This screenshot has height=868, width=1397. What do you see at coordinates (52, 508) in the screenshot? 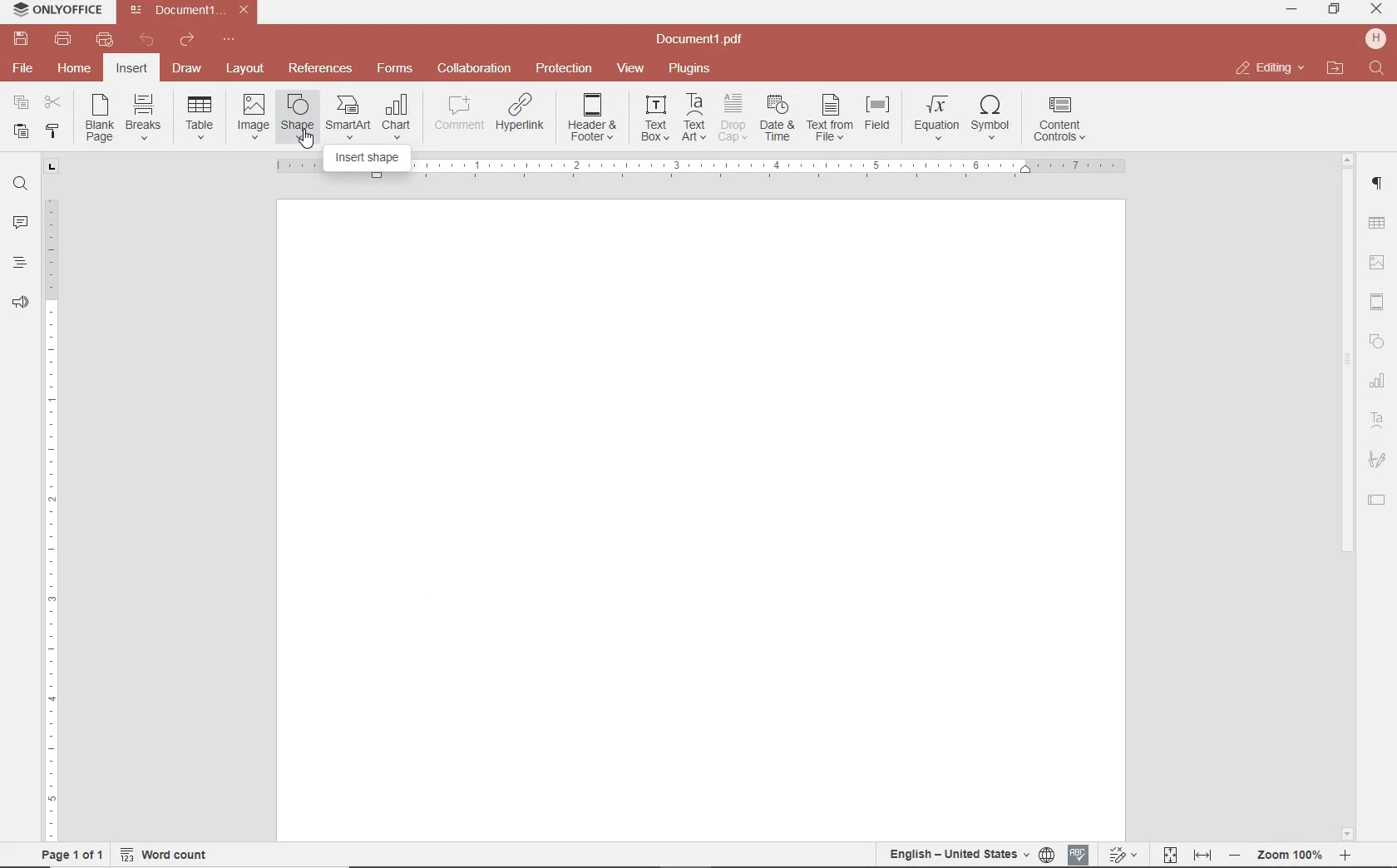
I see `ruler` at bounding box center [52, 508].